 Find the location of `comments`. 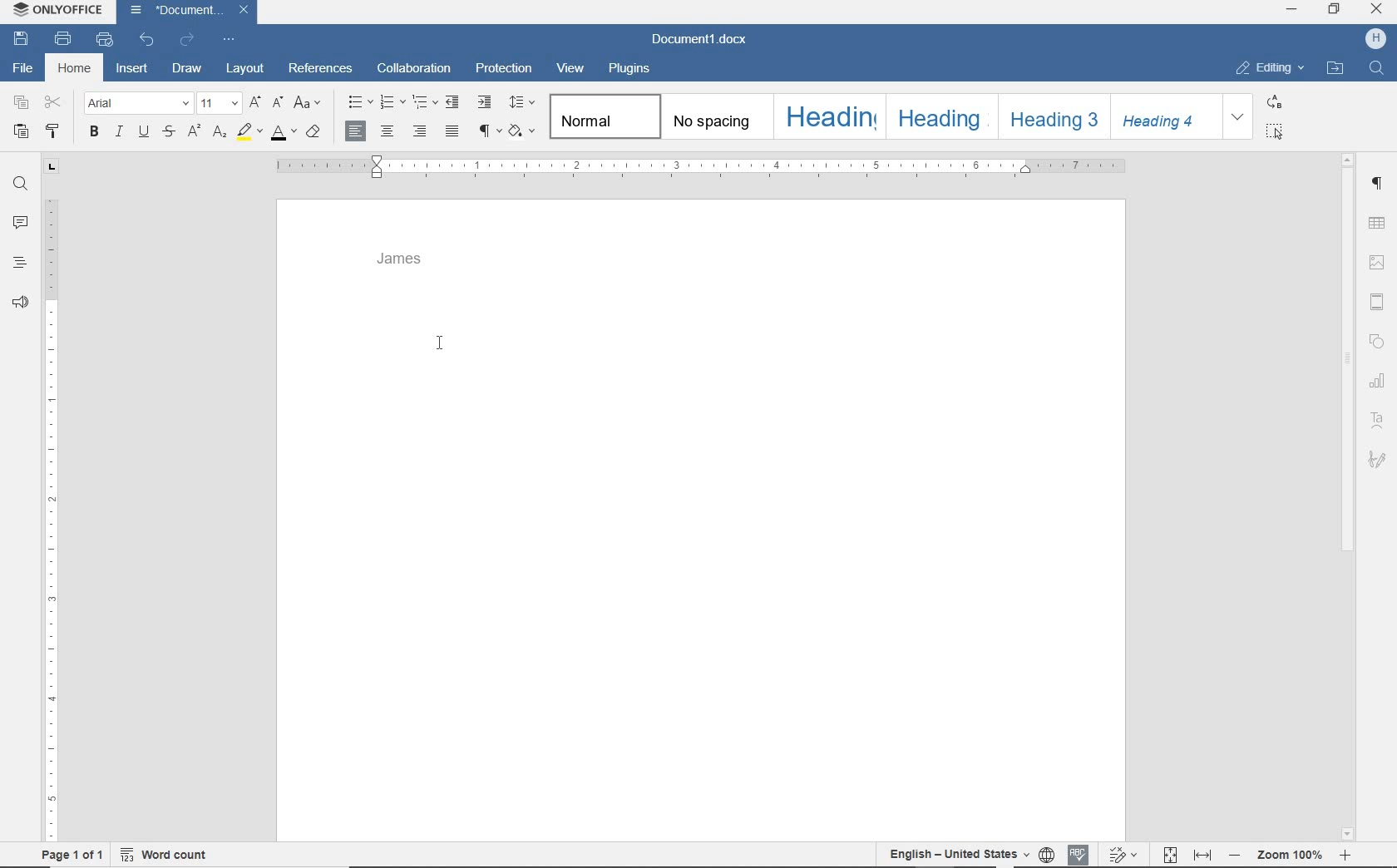

comments is located at coordinates (18, 223).